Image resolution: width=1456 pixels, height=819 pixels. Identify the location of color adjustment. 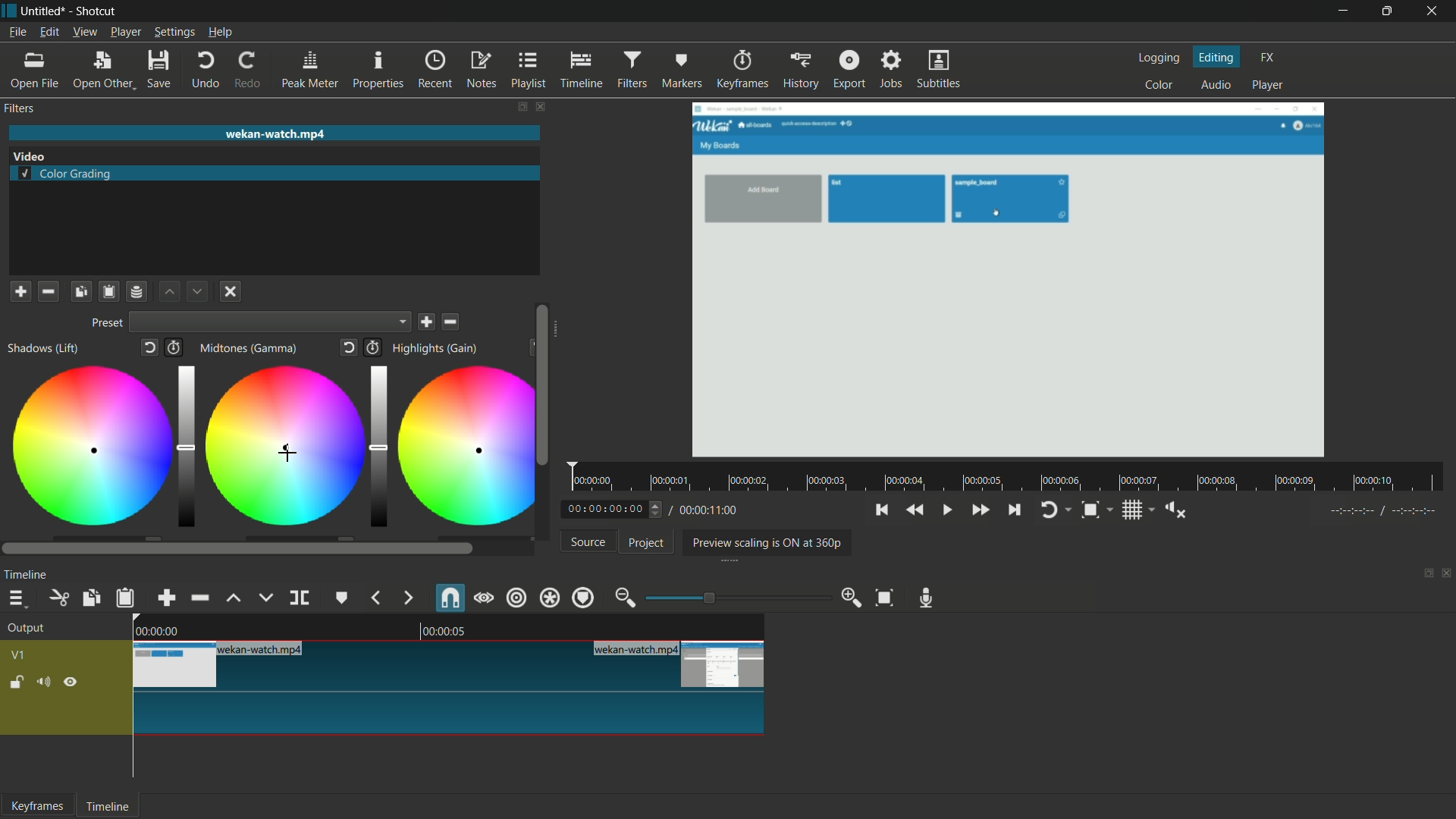
(461, 447).